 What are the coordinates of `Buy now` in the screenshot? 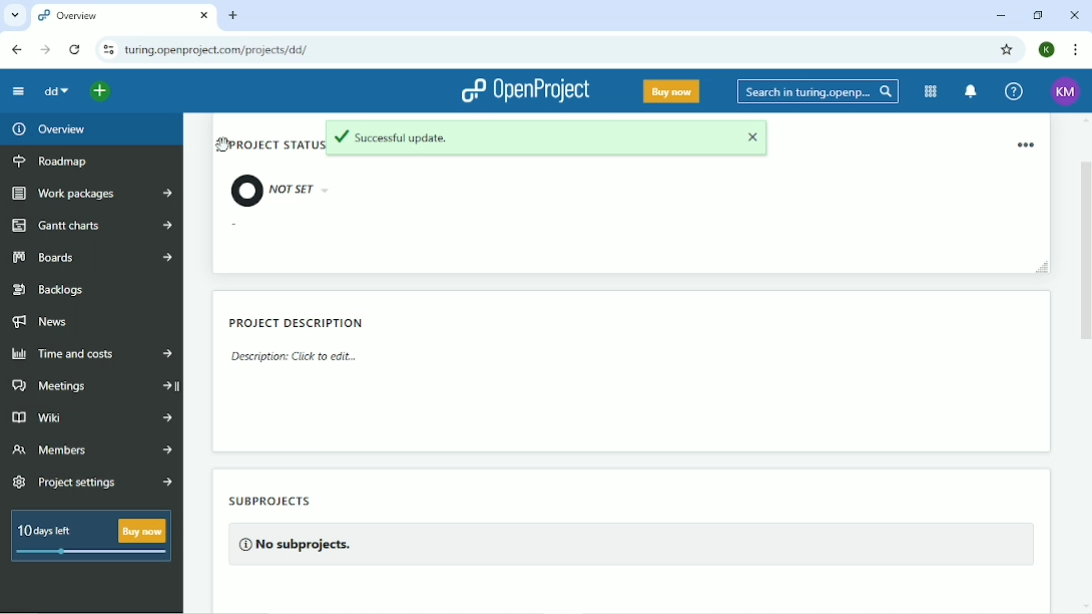 It's located at (672, 91).